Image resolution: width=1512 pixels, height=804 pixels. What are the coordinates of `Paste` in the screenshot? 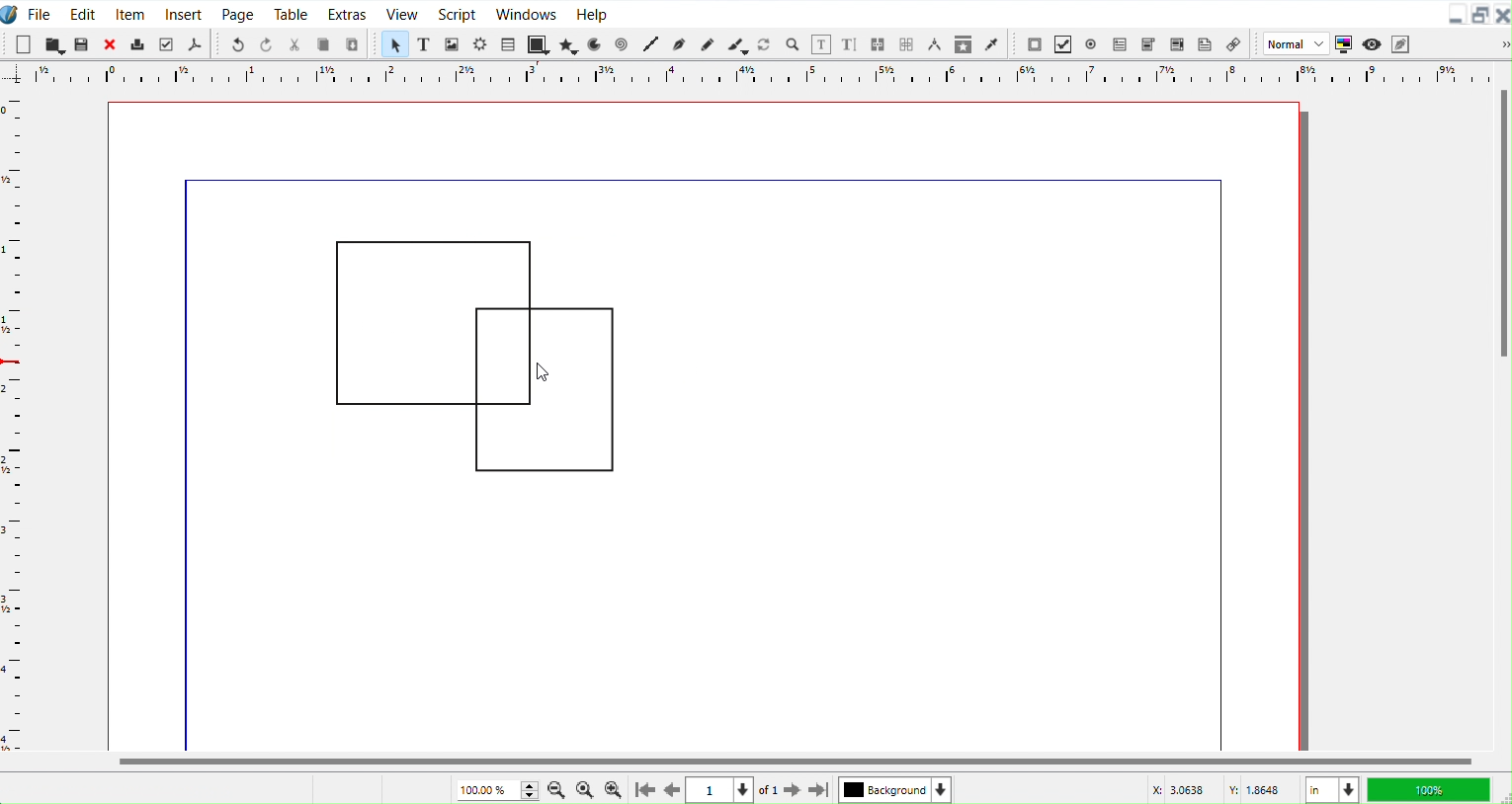 It's located at (354, 43).